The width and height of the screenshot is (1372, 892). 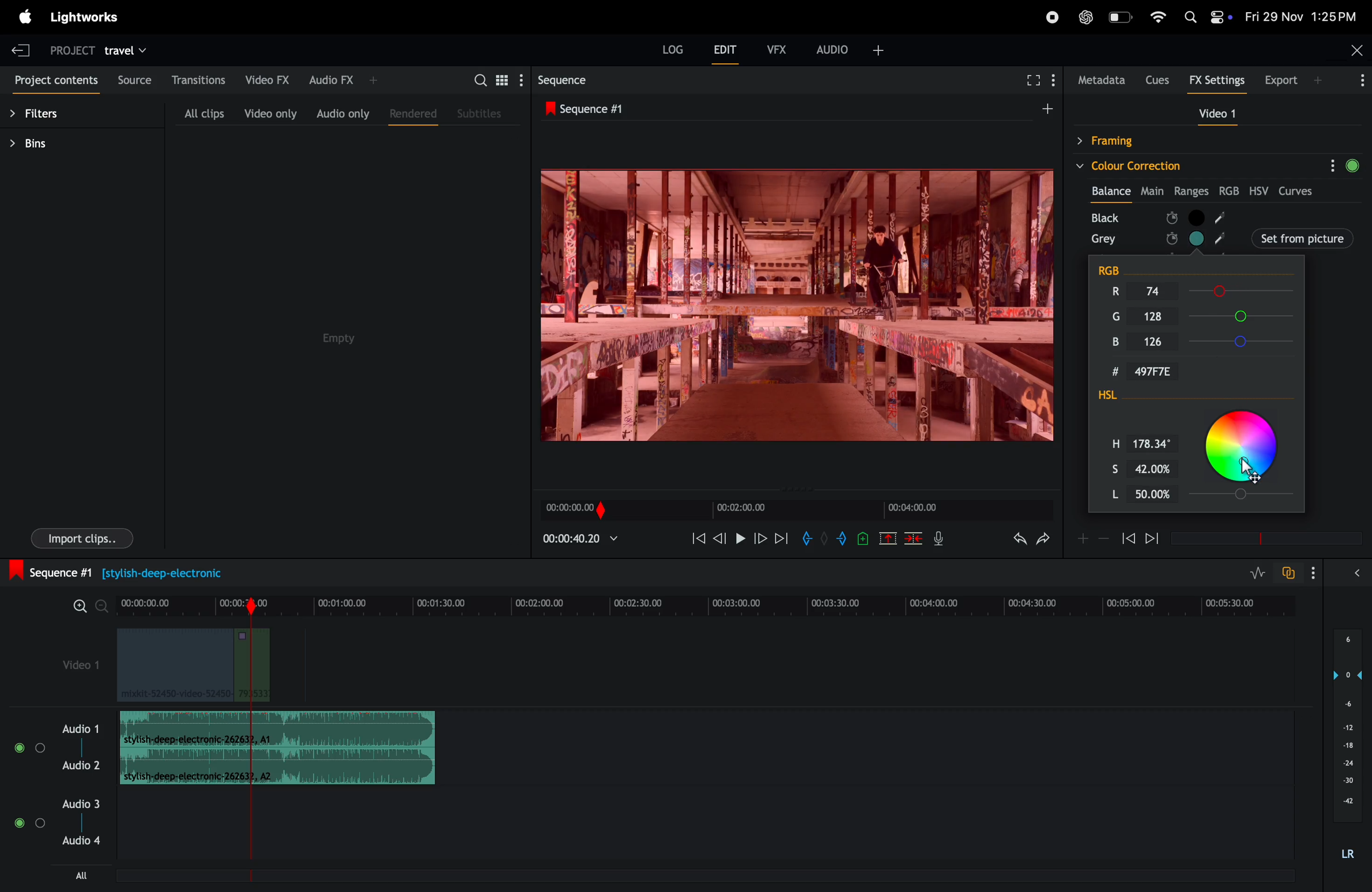 What do you see at coordinates (1109, 441) in the screenshot?
I see `H ` at bounding box center [1109, 441].